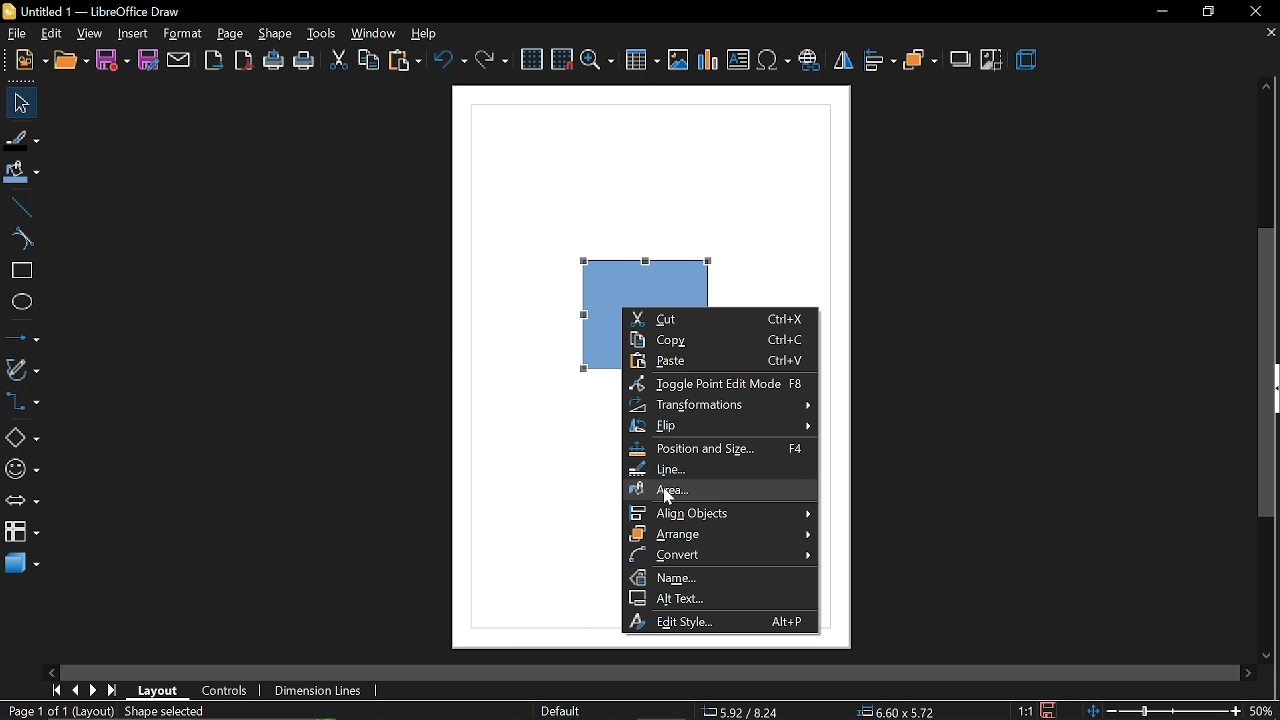  Describe the element at coordinates (709, 61) in the screenshot. I see `Insert chart` at that location.